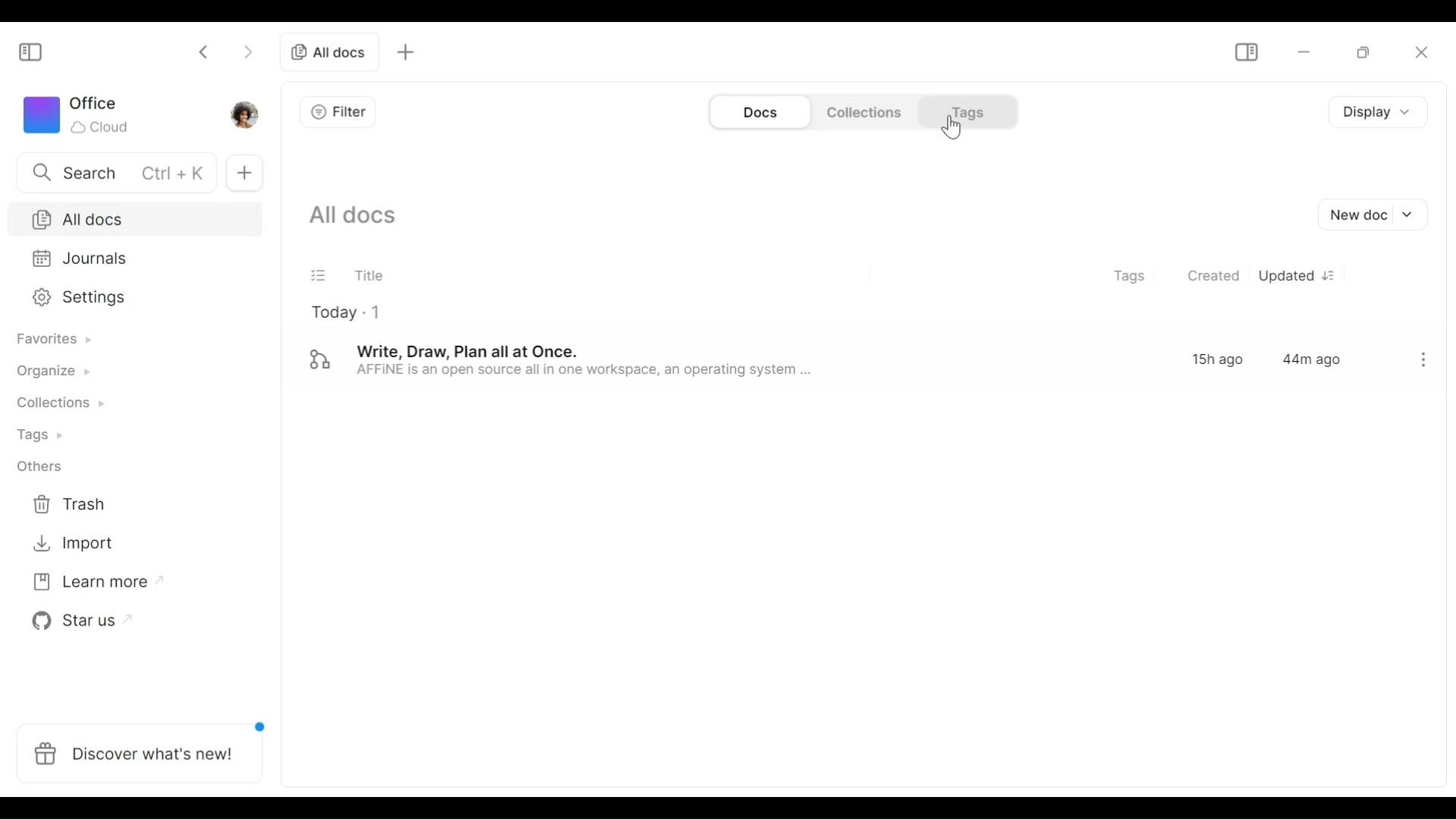  I want to click on Search, so click(110, 174).